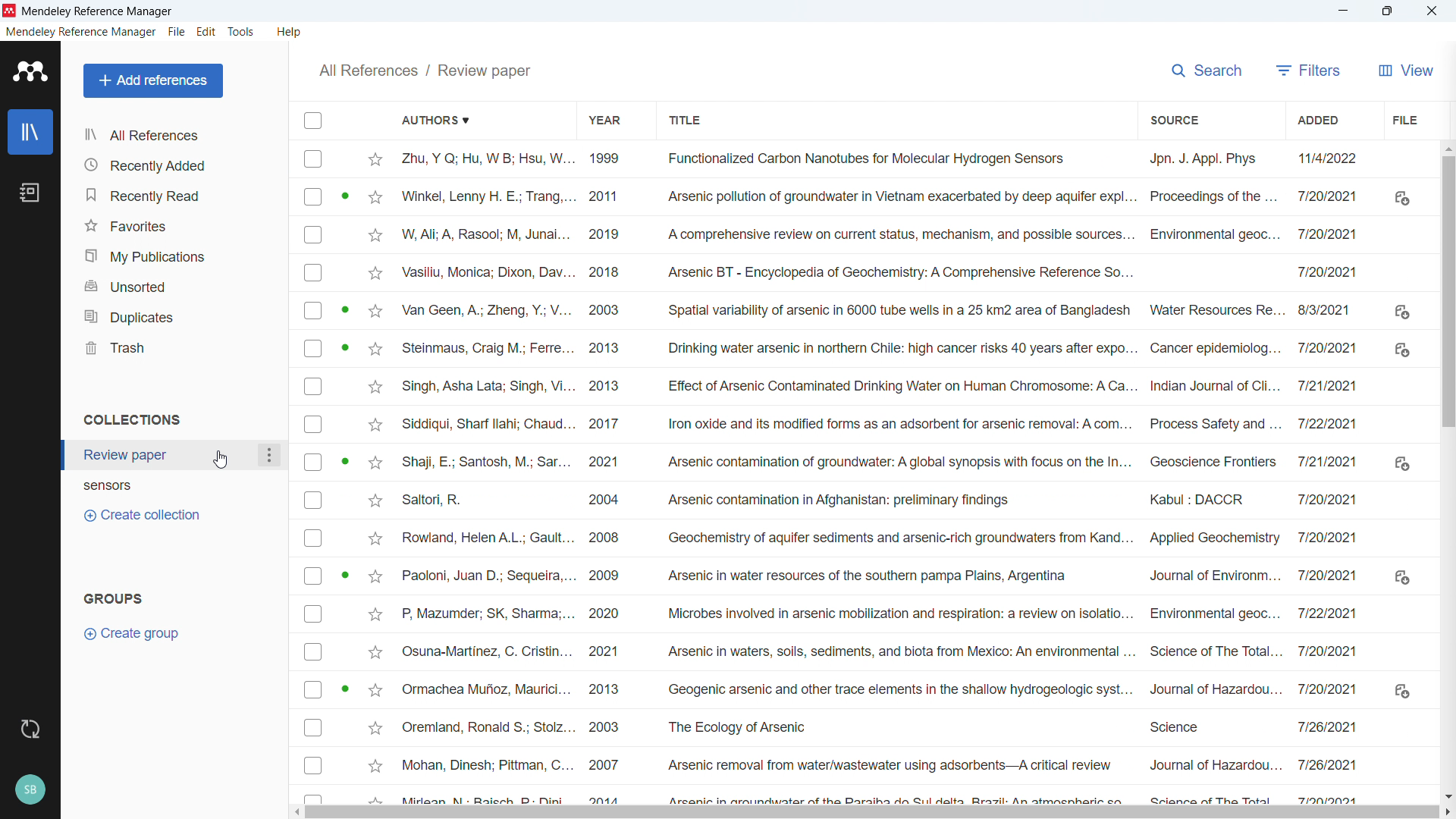 This screenshot has height=819, width=1456. Describe the element at coordinates (1447, 795) in the screenshot. I see `Scroll down ` at that location.